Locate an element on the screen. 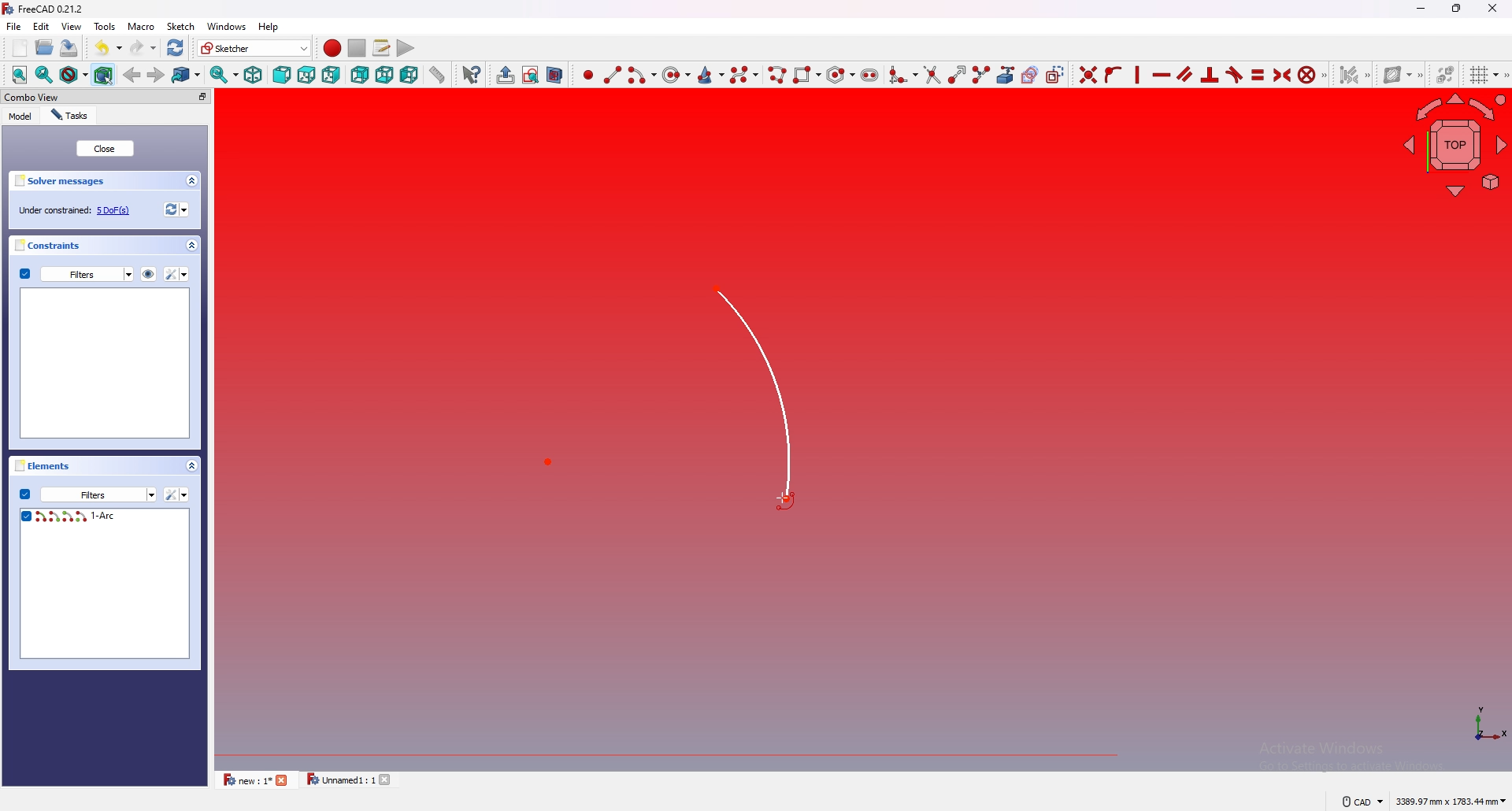 Image resolution: width=1512 pixels, height=811 pixels. execute macro is located at coordinates (406, 48).